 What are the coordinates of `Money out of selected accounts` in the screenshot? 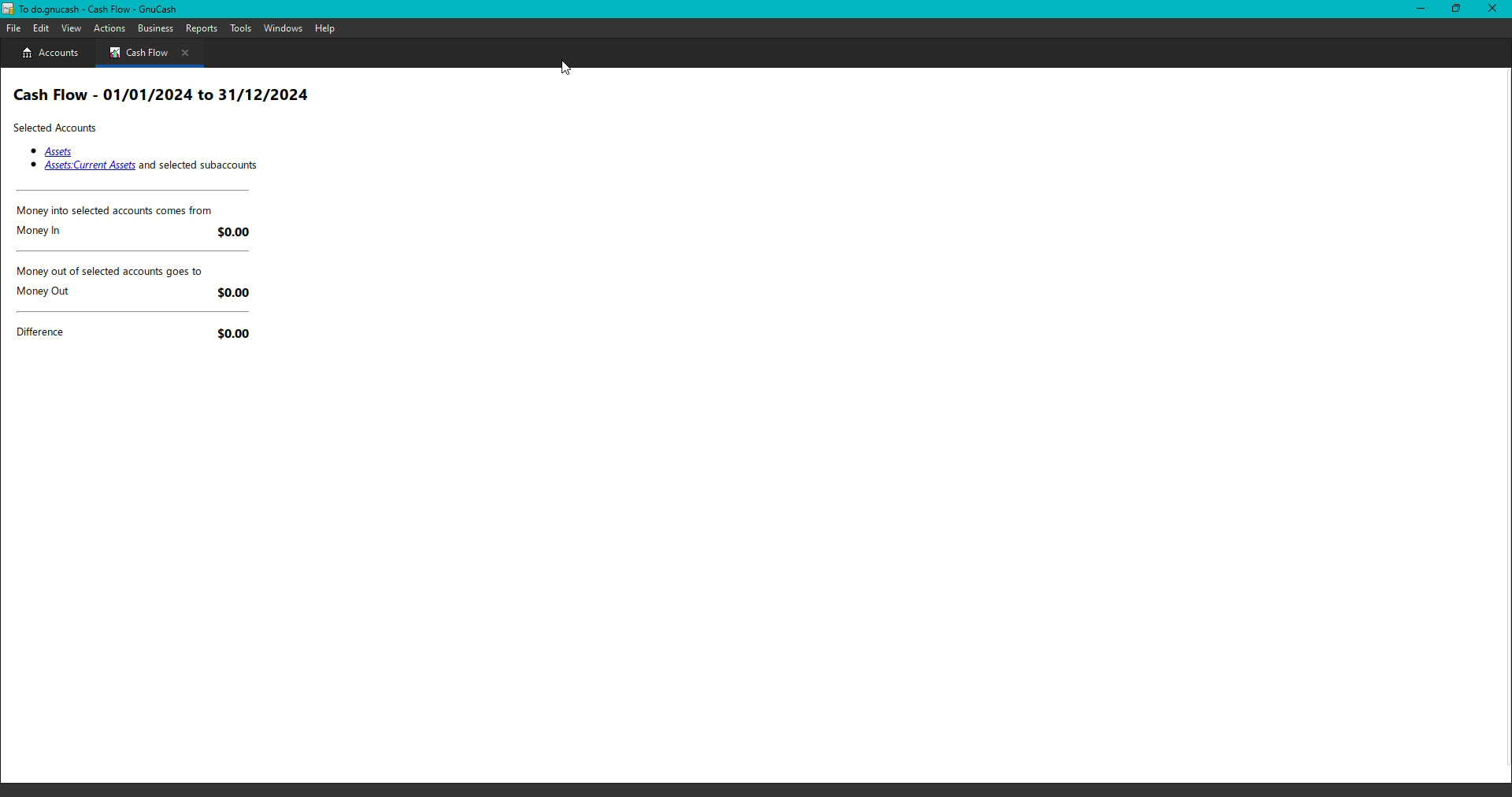 It's located at (114, 270).